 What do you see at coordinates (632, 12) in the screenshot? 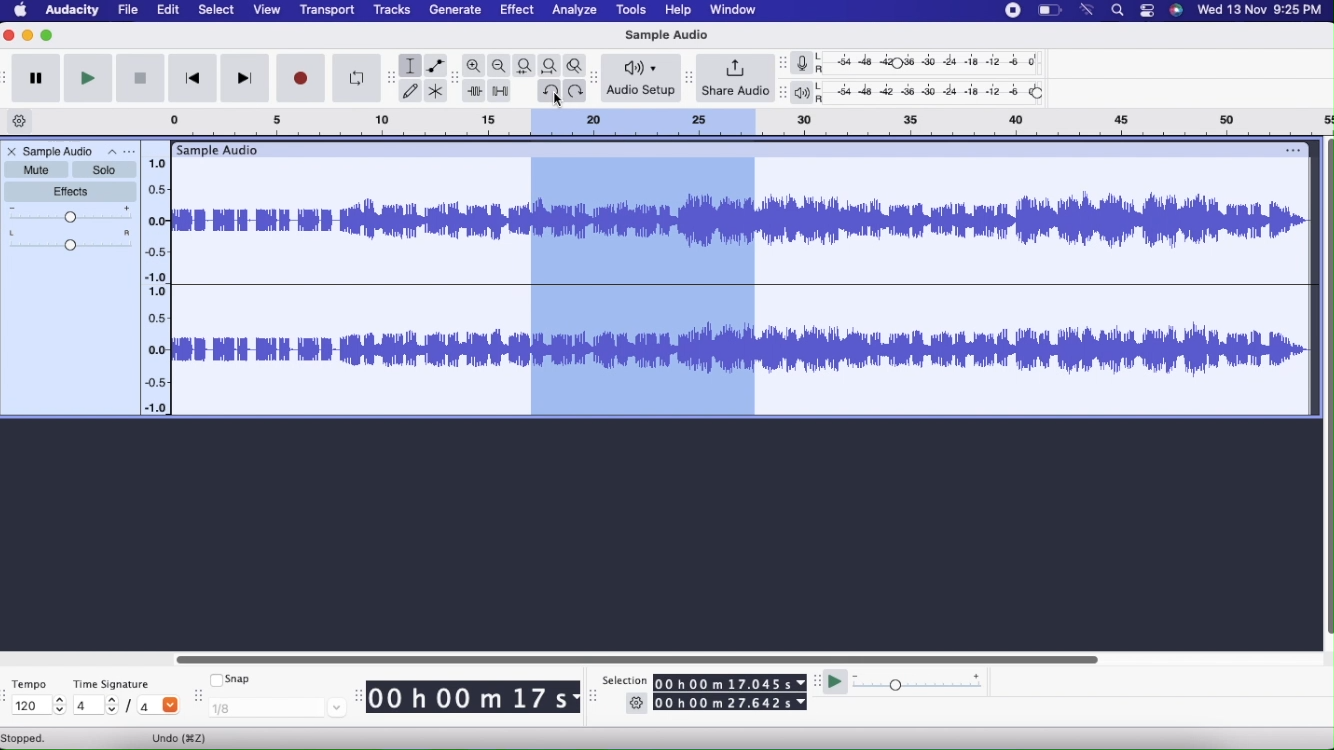
I see `Tools` at bounding box center [632, 12].